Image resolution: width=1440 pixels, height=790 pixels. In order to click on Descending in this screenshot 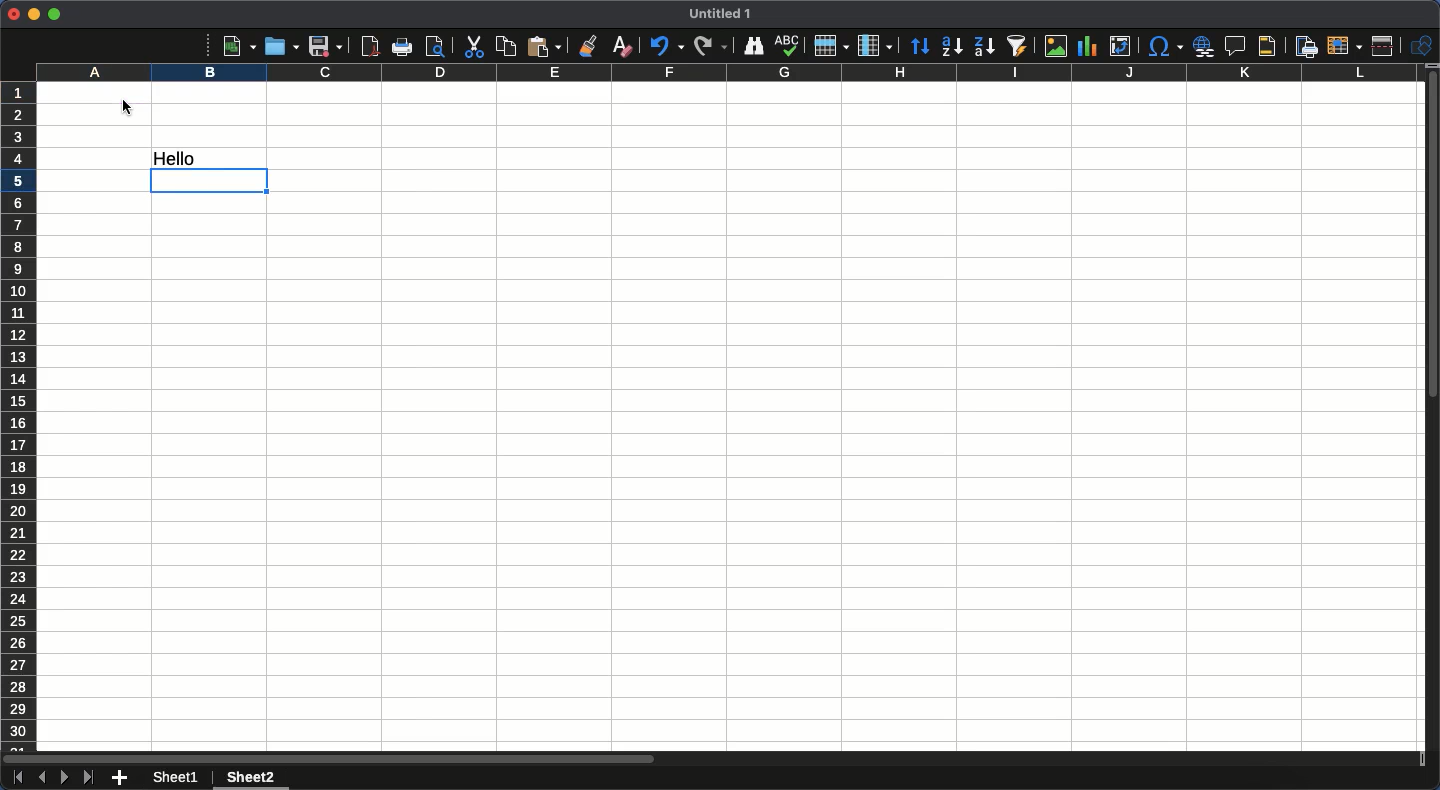, I will do `click(983, 47)`.